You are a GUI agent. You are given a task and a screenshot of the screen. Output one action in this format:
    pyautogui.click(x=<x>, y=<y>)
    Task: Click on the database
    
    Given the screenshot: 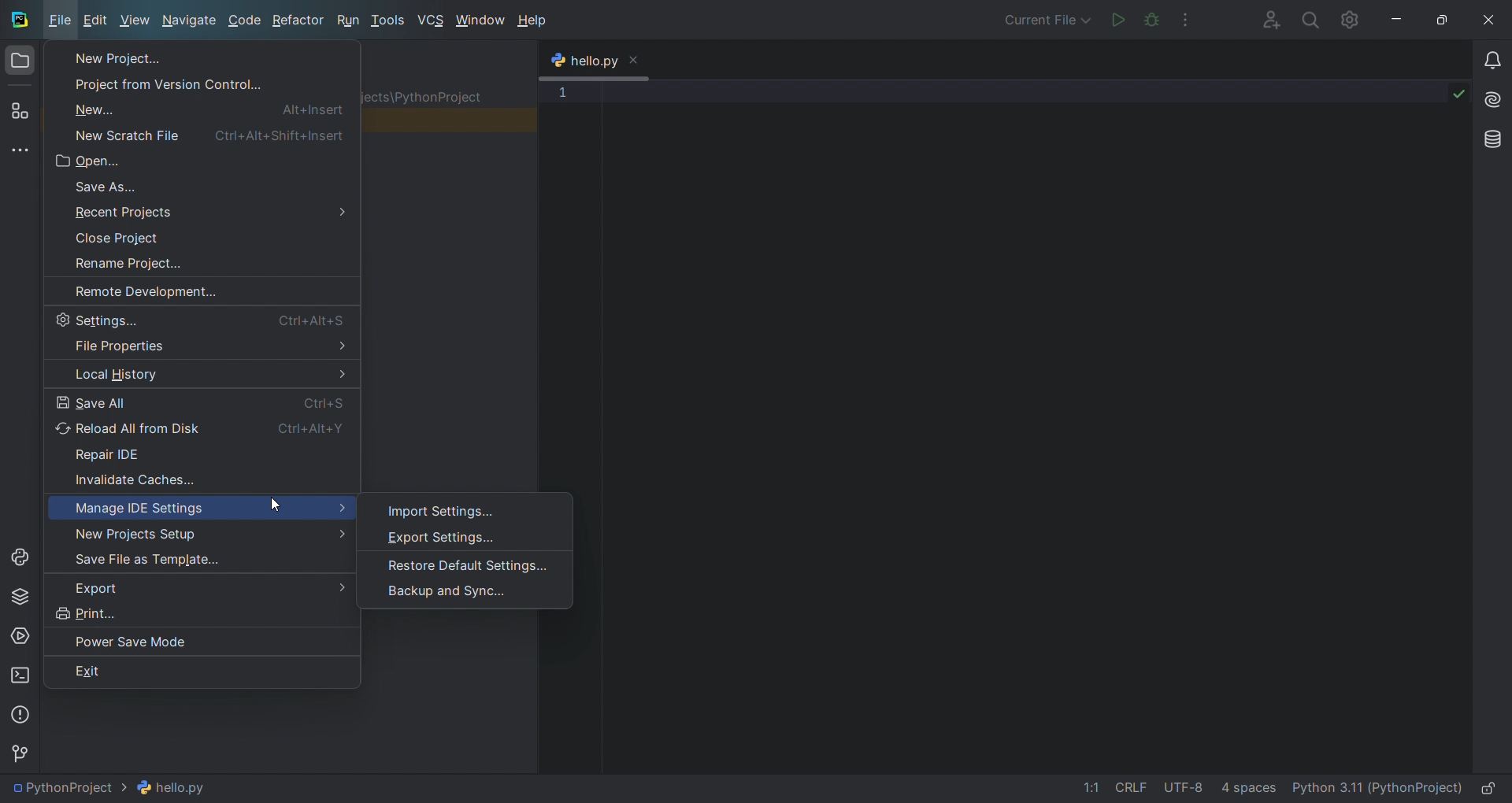 What is the action you would take?
    pyautogui.click(x=1493, y=139)
    